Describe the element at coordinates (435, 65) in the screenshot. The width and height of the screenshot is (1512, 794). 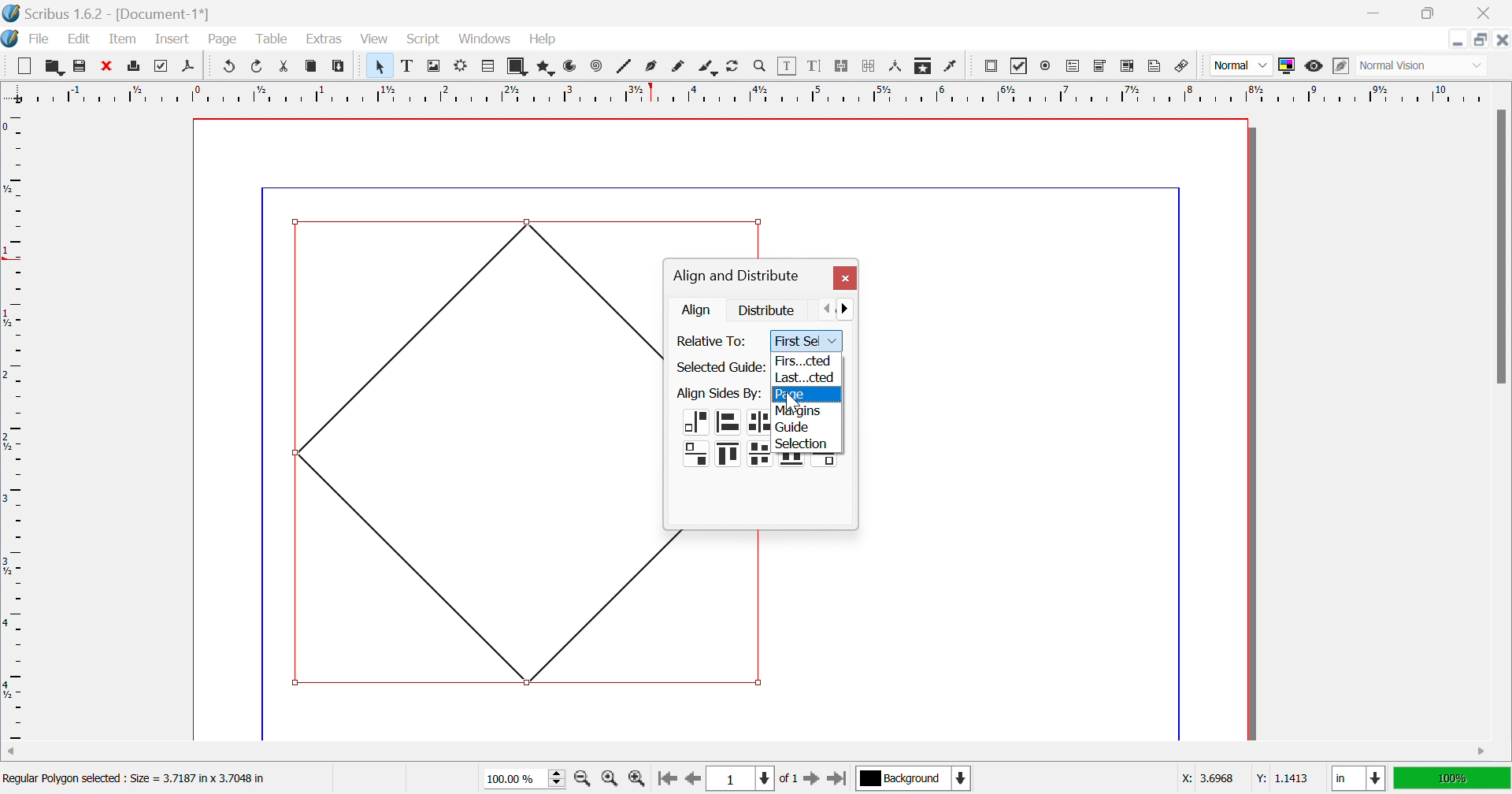
I see `Image frame` at that location.